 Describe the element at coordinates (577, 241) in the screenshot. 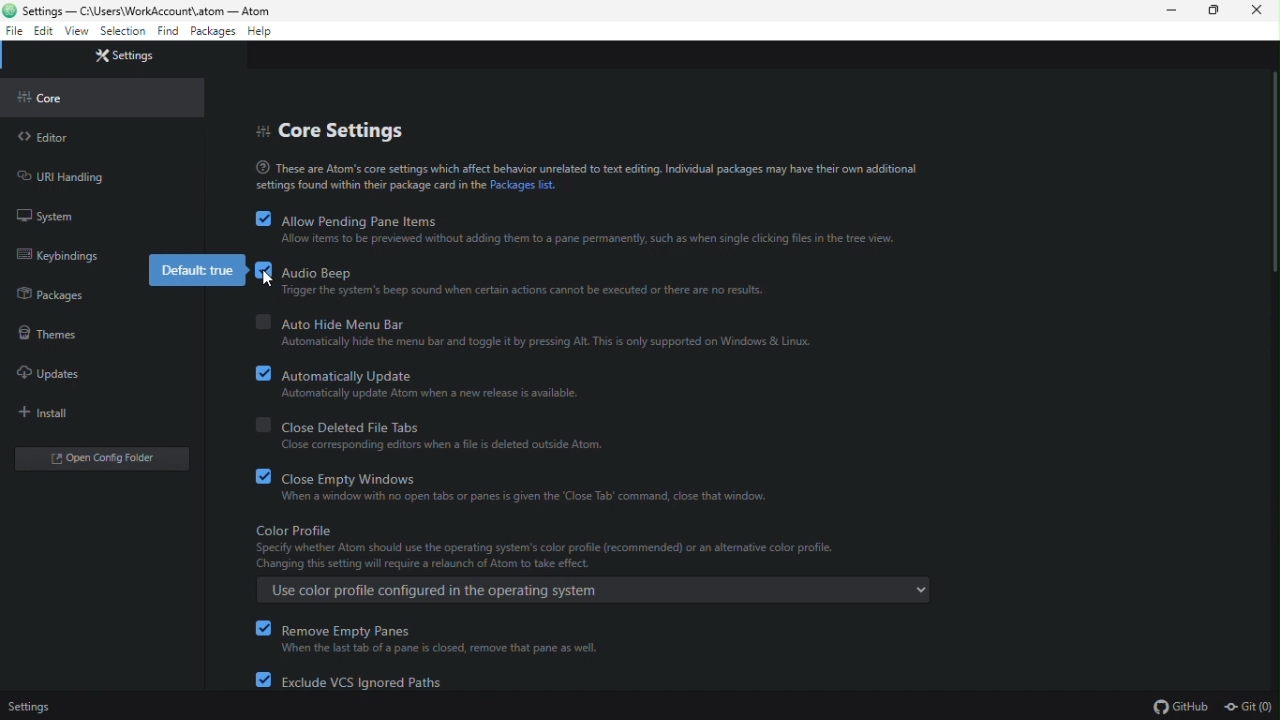

I see `Allow items to be previewed without adding them to a pane permanently, such as when single clicking files in the tree view.` at that location.